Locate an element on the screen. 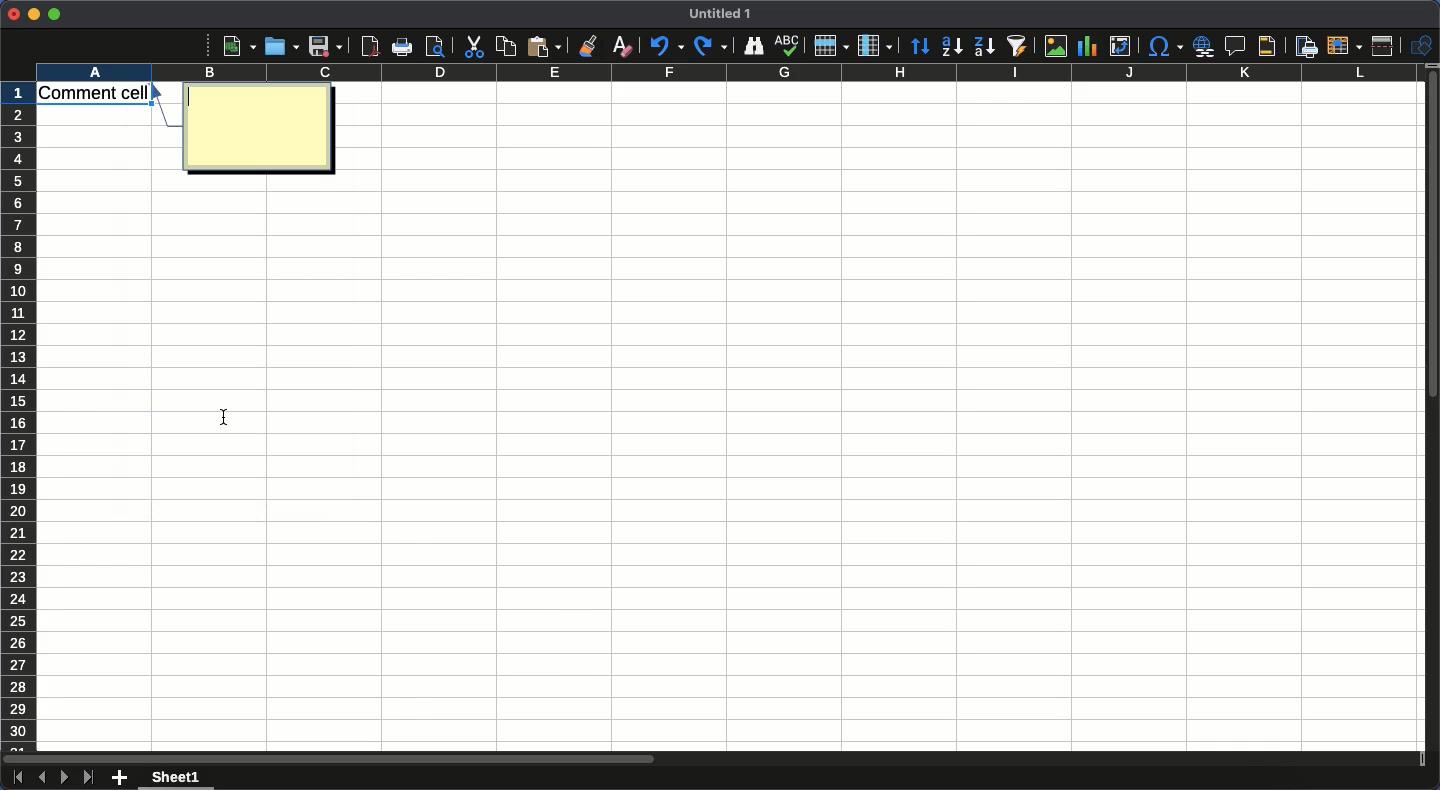 This screenshot has width=1440, height=790. New is located at coordinates (236, 46).